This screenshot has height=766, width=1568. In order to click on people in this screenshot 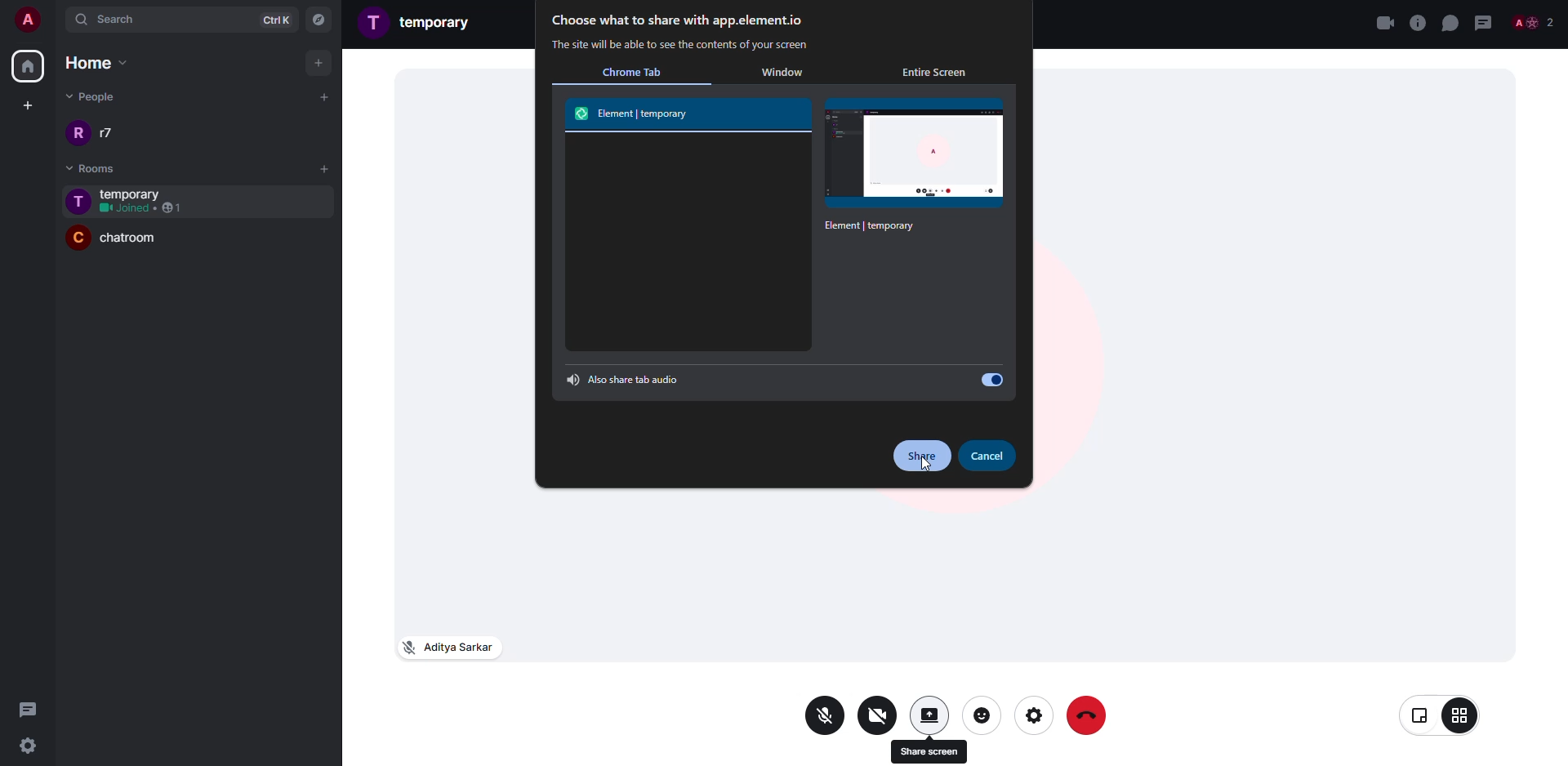, I will do `click(1535, 22)`.